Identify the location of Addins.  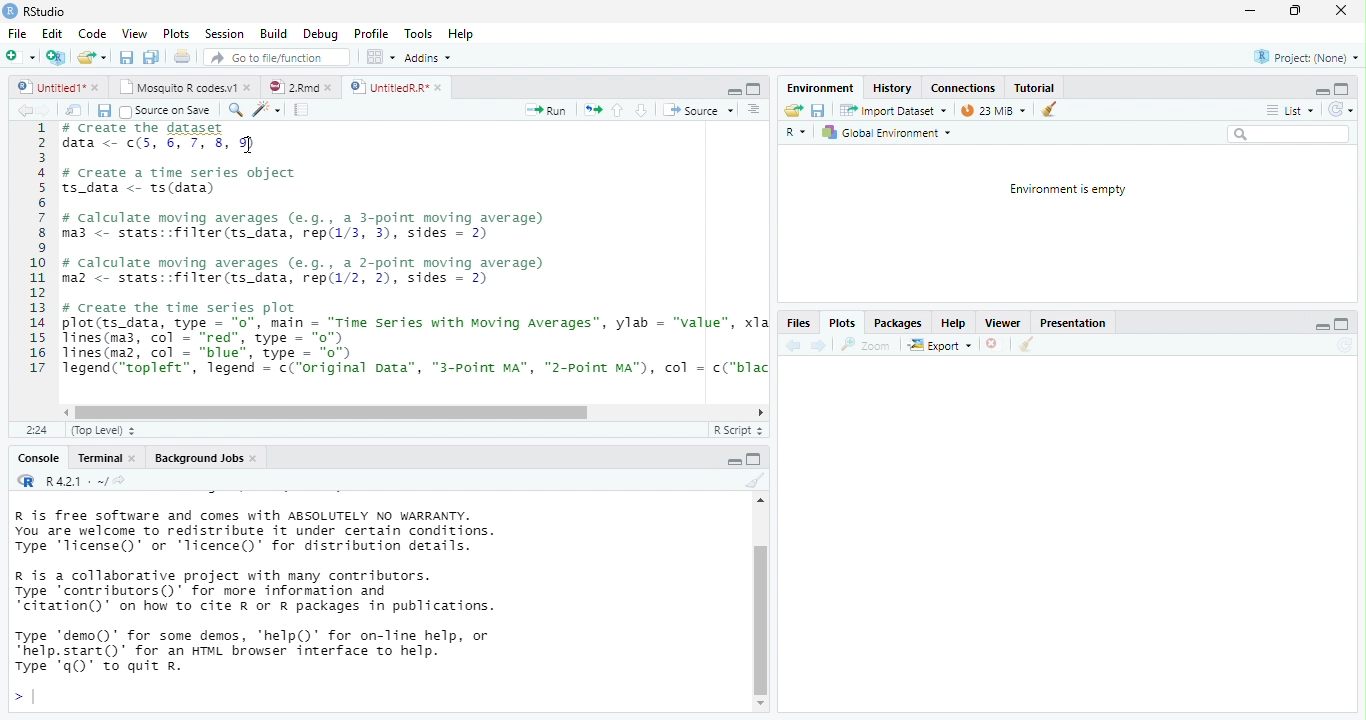
(428, 58).